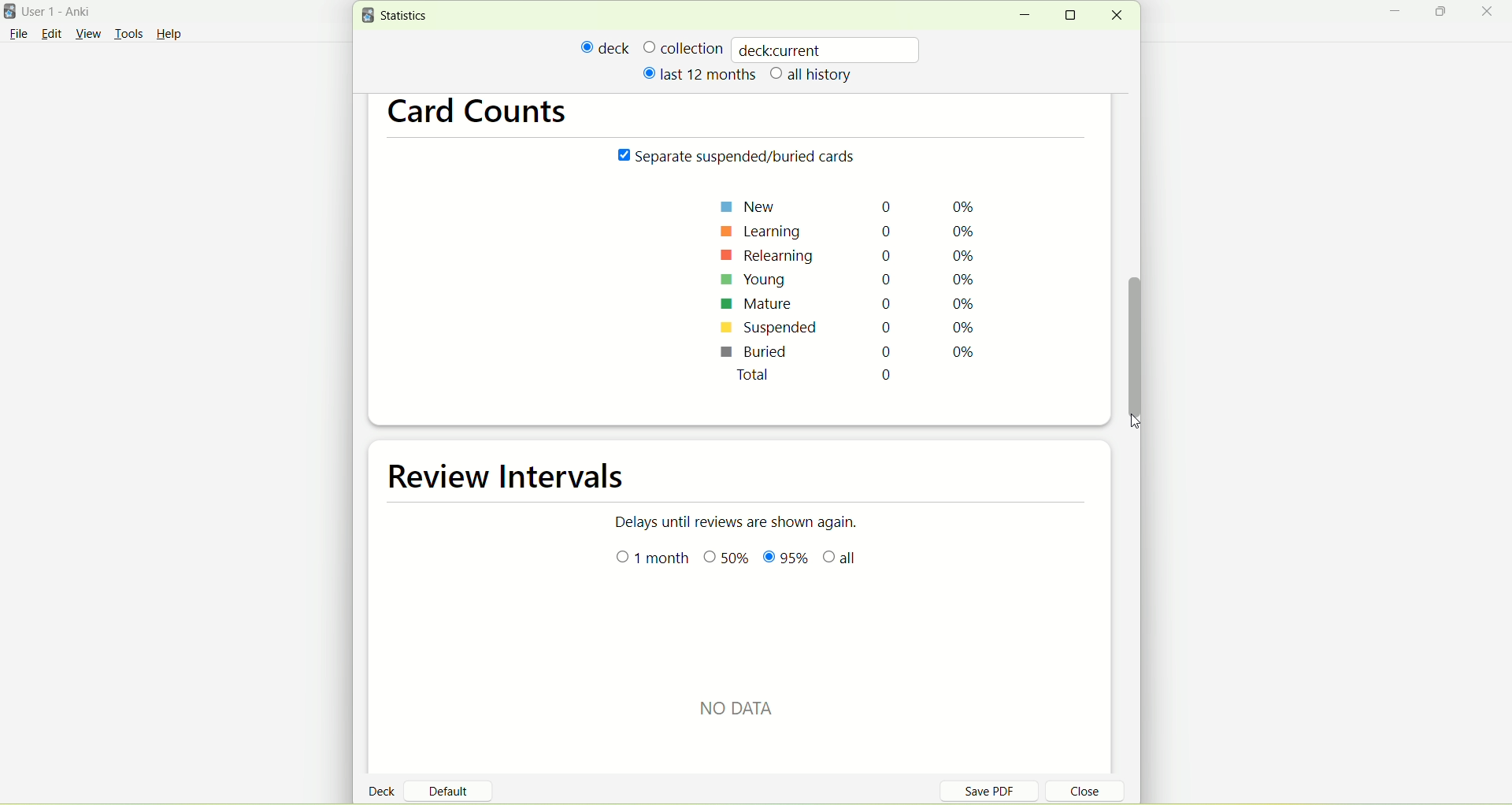 Image resolution: width=1512 pixels, height=805 pixels. Describe the element at coordinates (91, 35) in the screenshot. I see `view` at that location.